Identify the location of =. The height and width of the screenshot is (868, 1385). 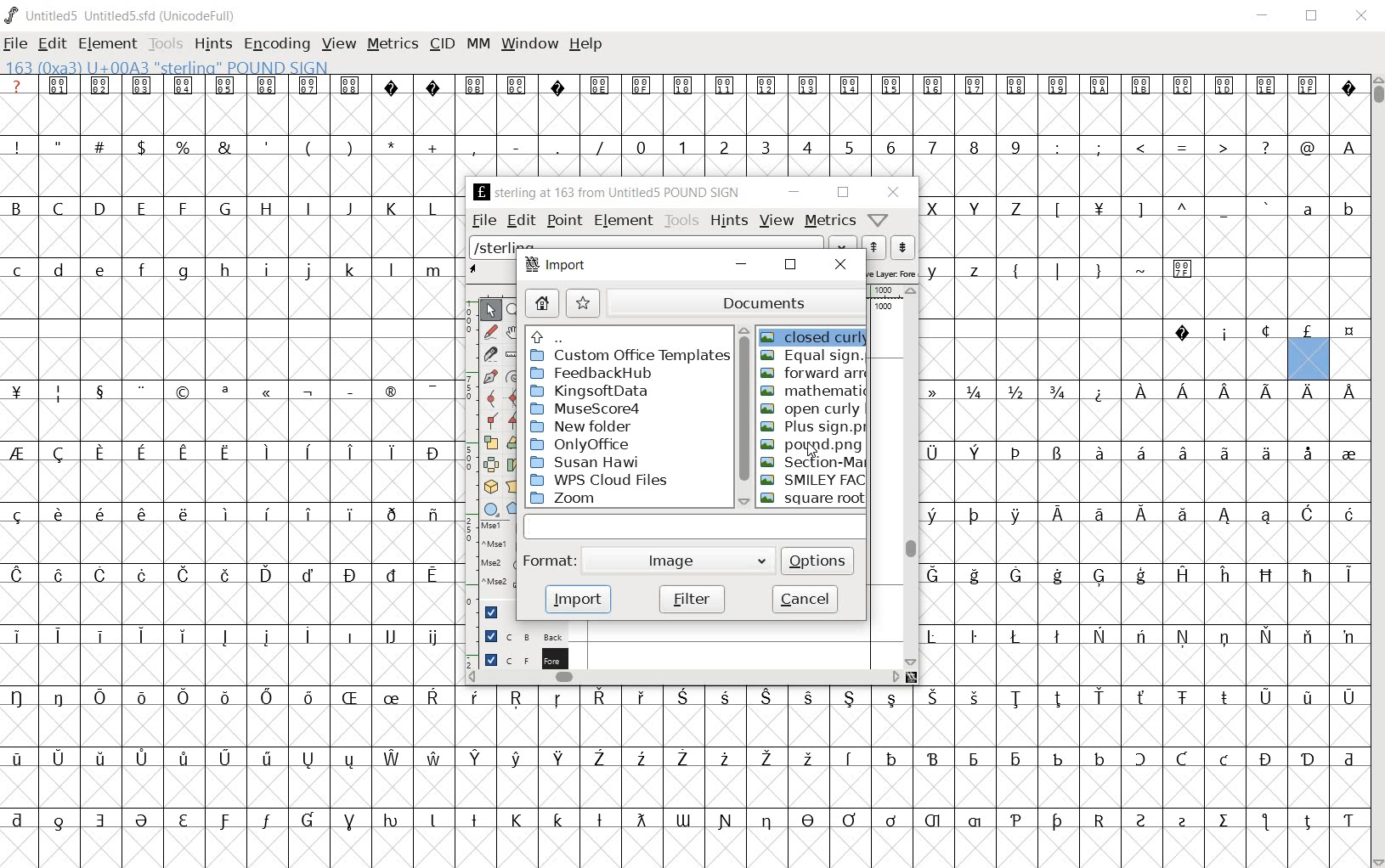
(1183, 147).